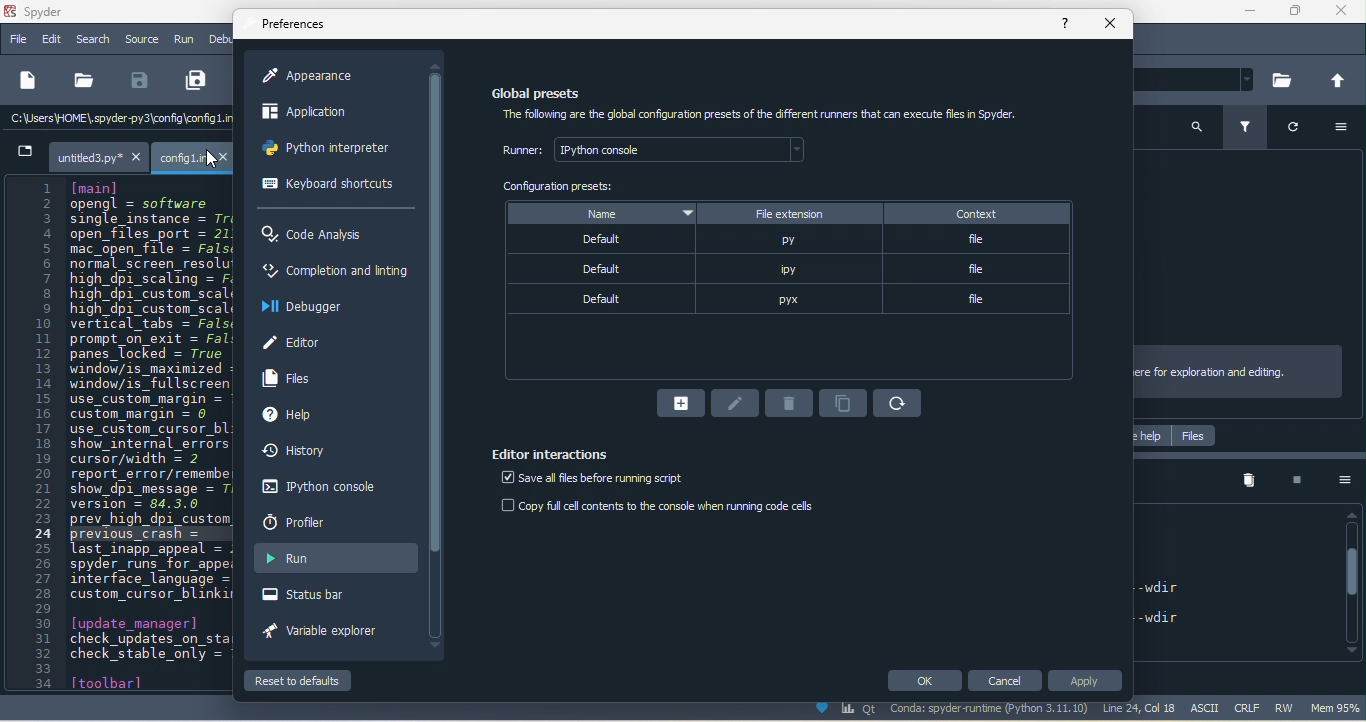 This screenshot has height=722, width=1366. I want to click on status bar, so click(325, 597).